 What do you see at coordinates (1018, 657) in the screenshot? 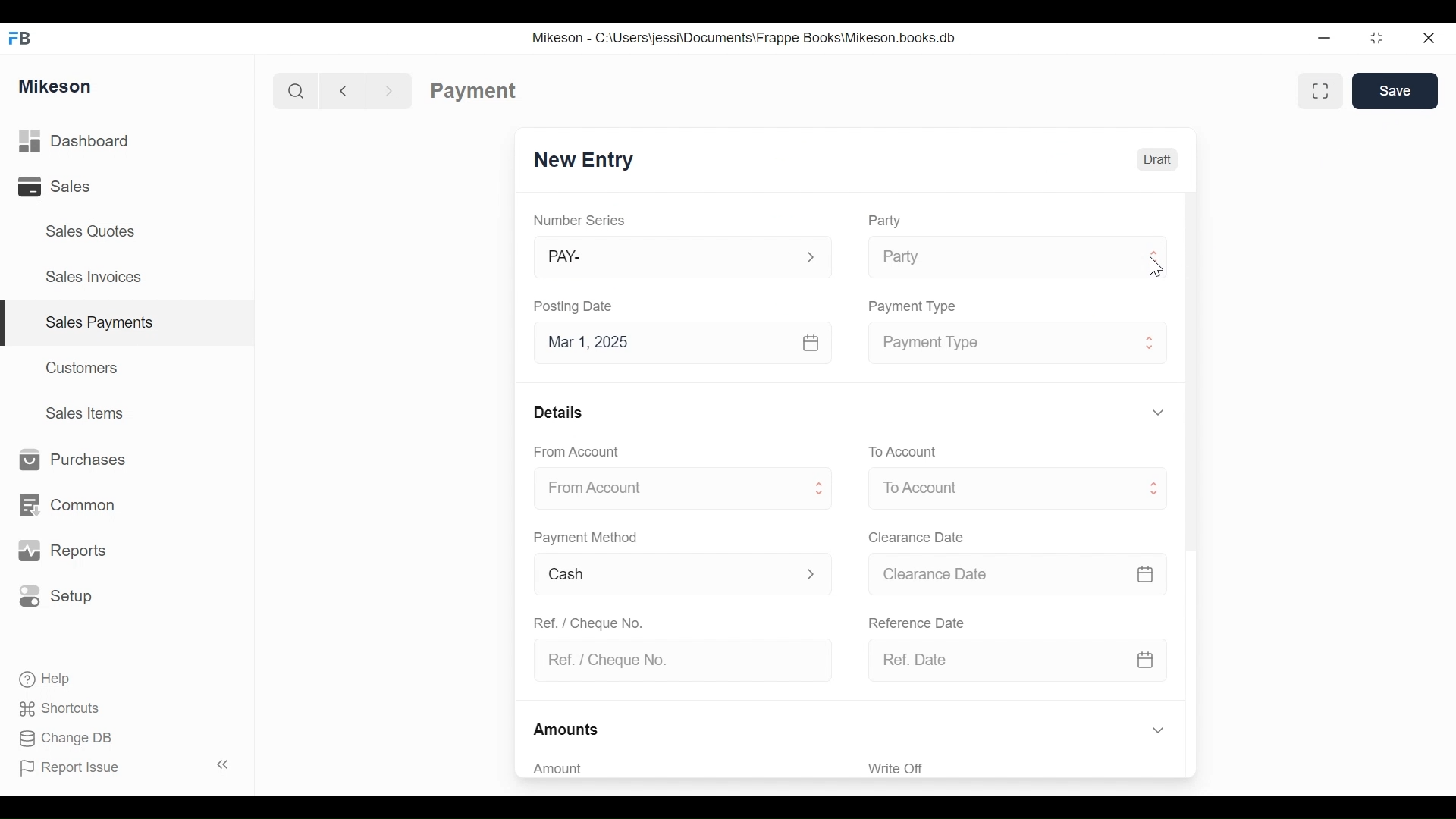
I see `Ref. Date` at bounding box center [1018, 657].